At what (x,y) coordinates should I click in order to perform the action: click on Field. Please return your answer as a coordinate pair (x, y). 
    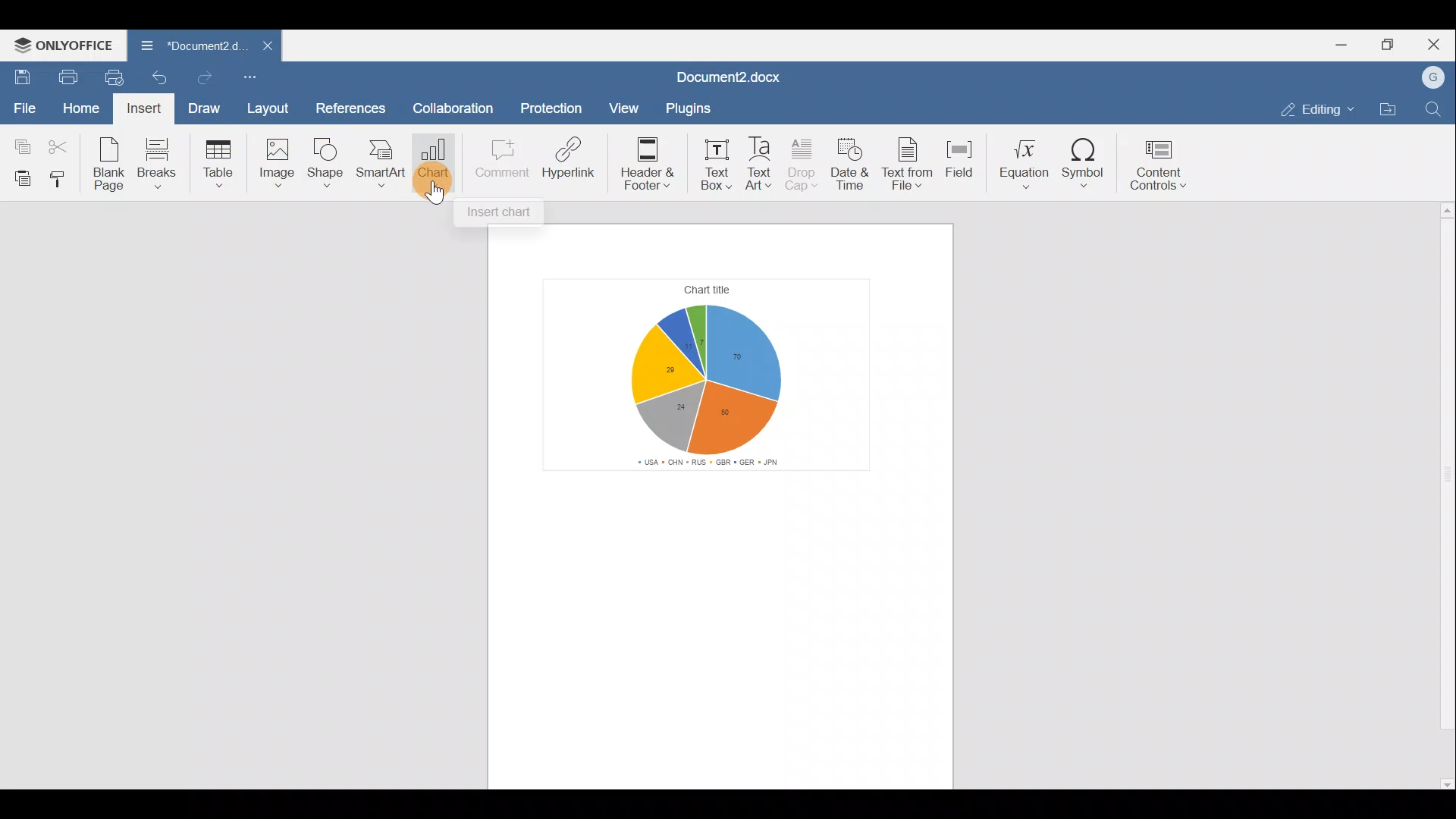
    Looking at the image, I should click on (962, 162).